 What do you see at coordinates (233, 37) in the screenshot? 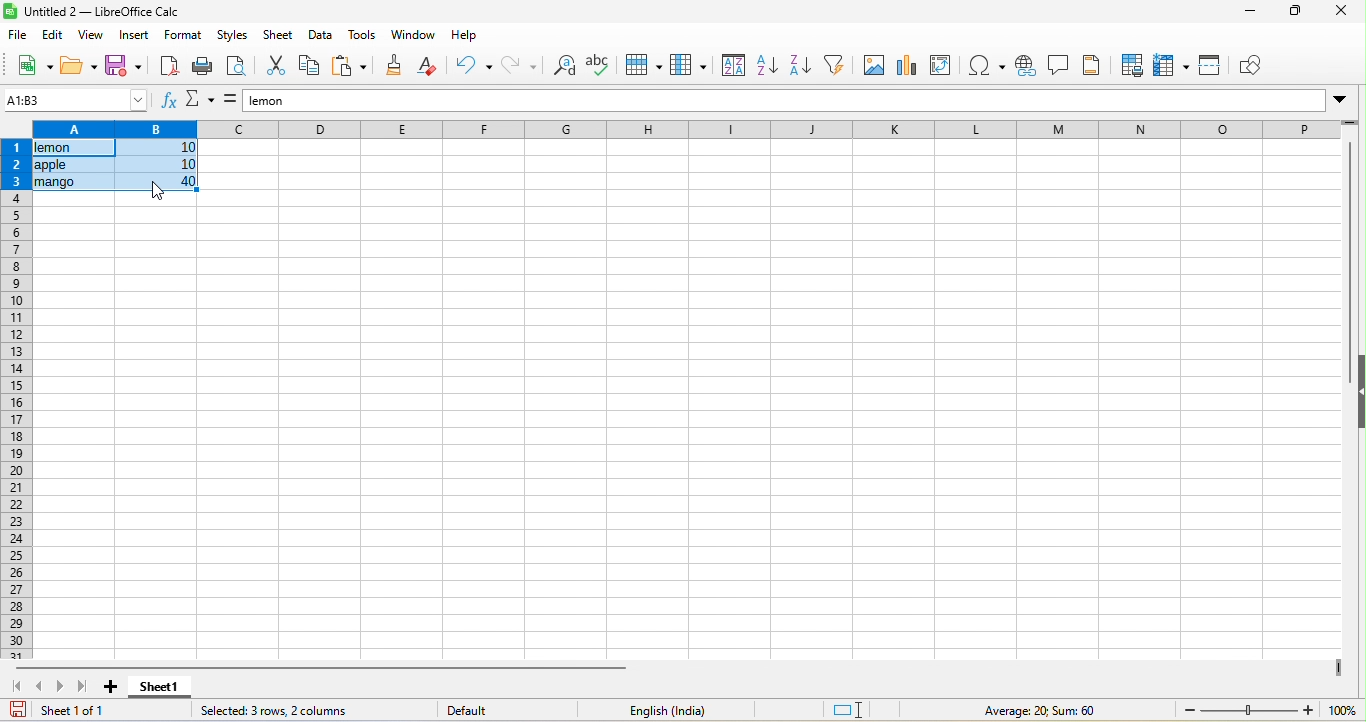
I see `styles` at bounding box center [233, 37].